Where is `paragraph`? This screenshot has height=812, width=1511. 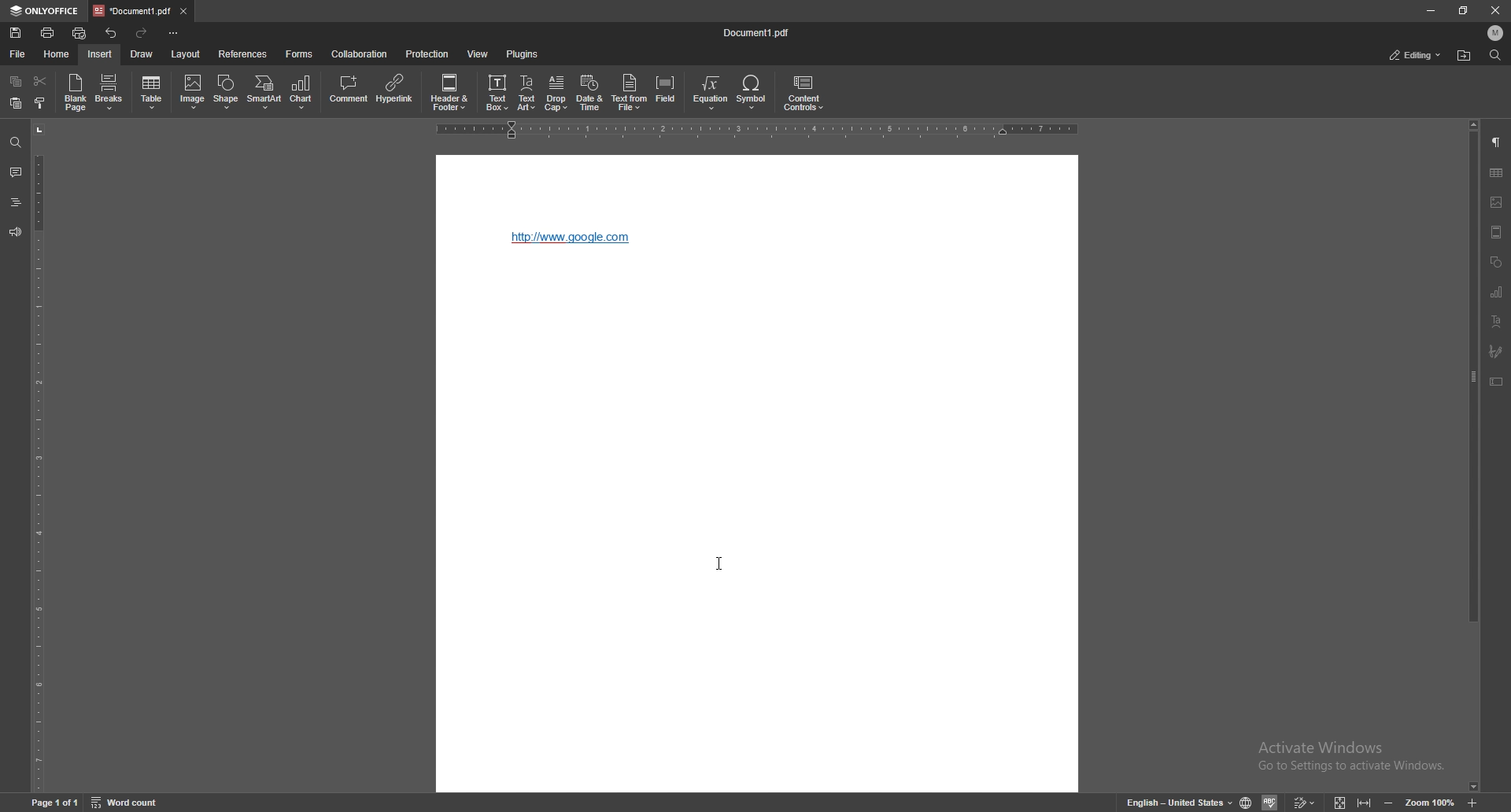 paragraph is located at coordinates (1498, 142).